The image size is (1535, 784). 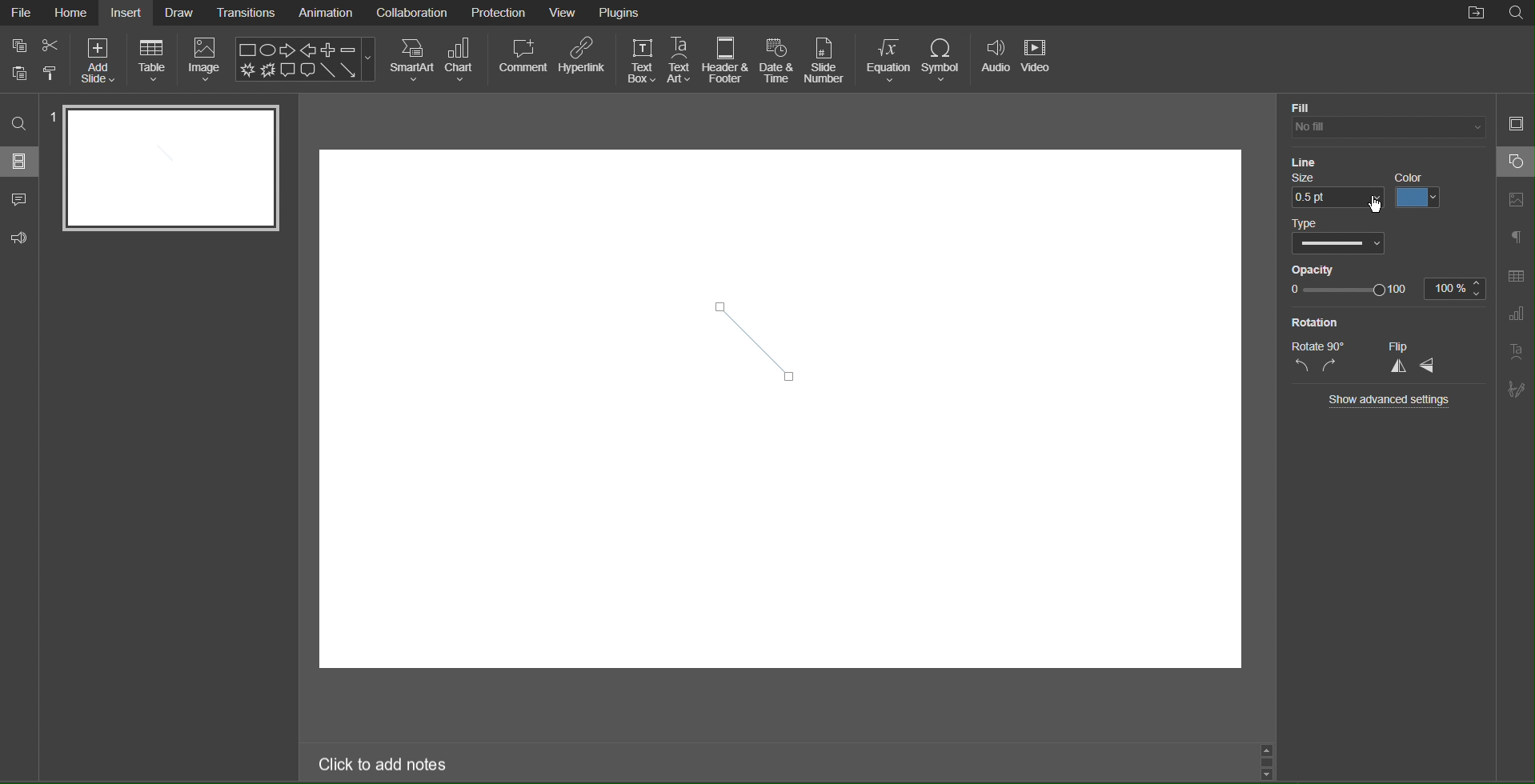 I want to click on Show advanced settings, so click(x=1393, y=399).